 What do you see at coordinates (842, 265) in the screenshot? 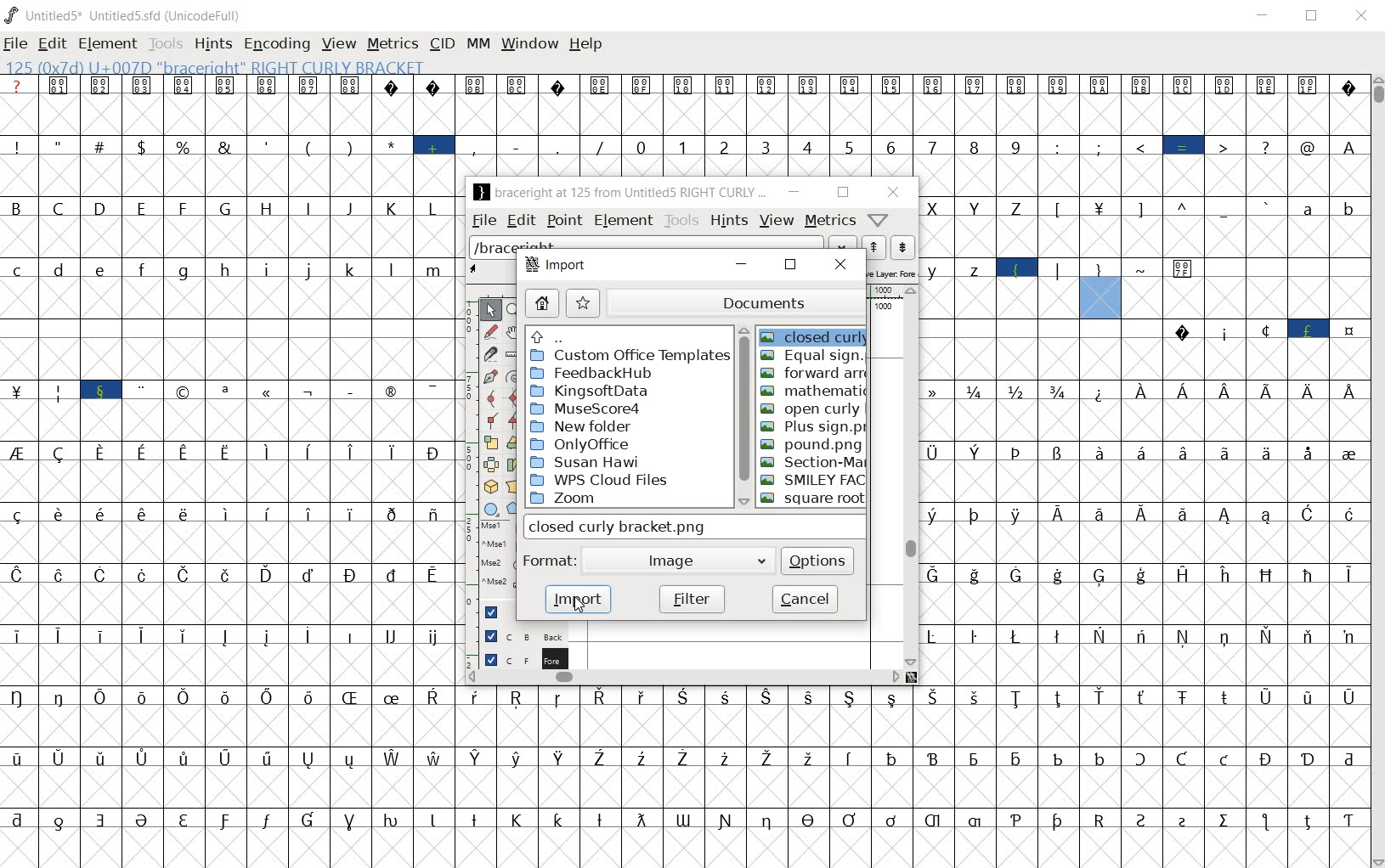
I see `close` at bounding box center [842, 265].